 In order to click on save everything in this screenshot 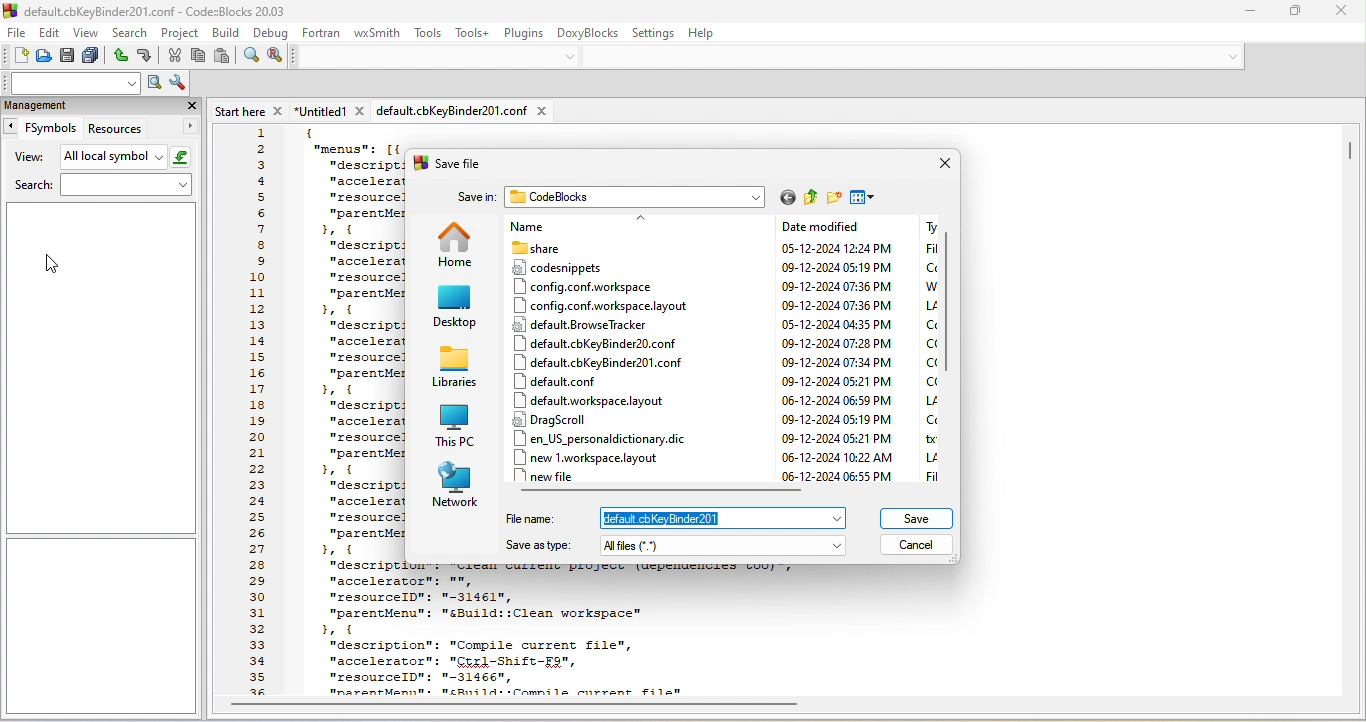, I will do `click(92, 56)`.